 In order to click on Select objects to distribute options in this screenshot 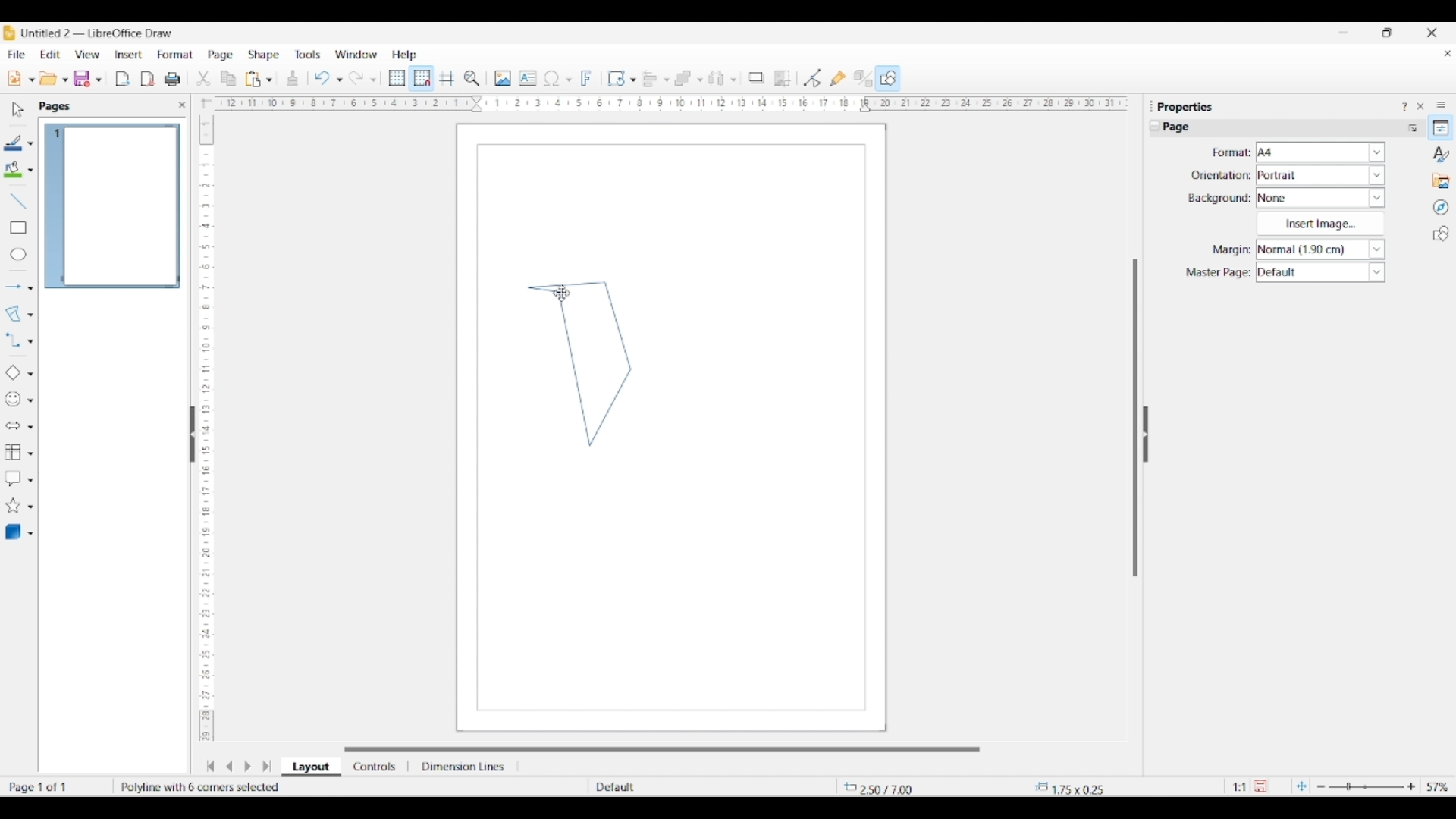, I will do `click(733, 80)`.